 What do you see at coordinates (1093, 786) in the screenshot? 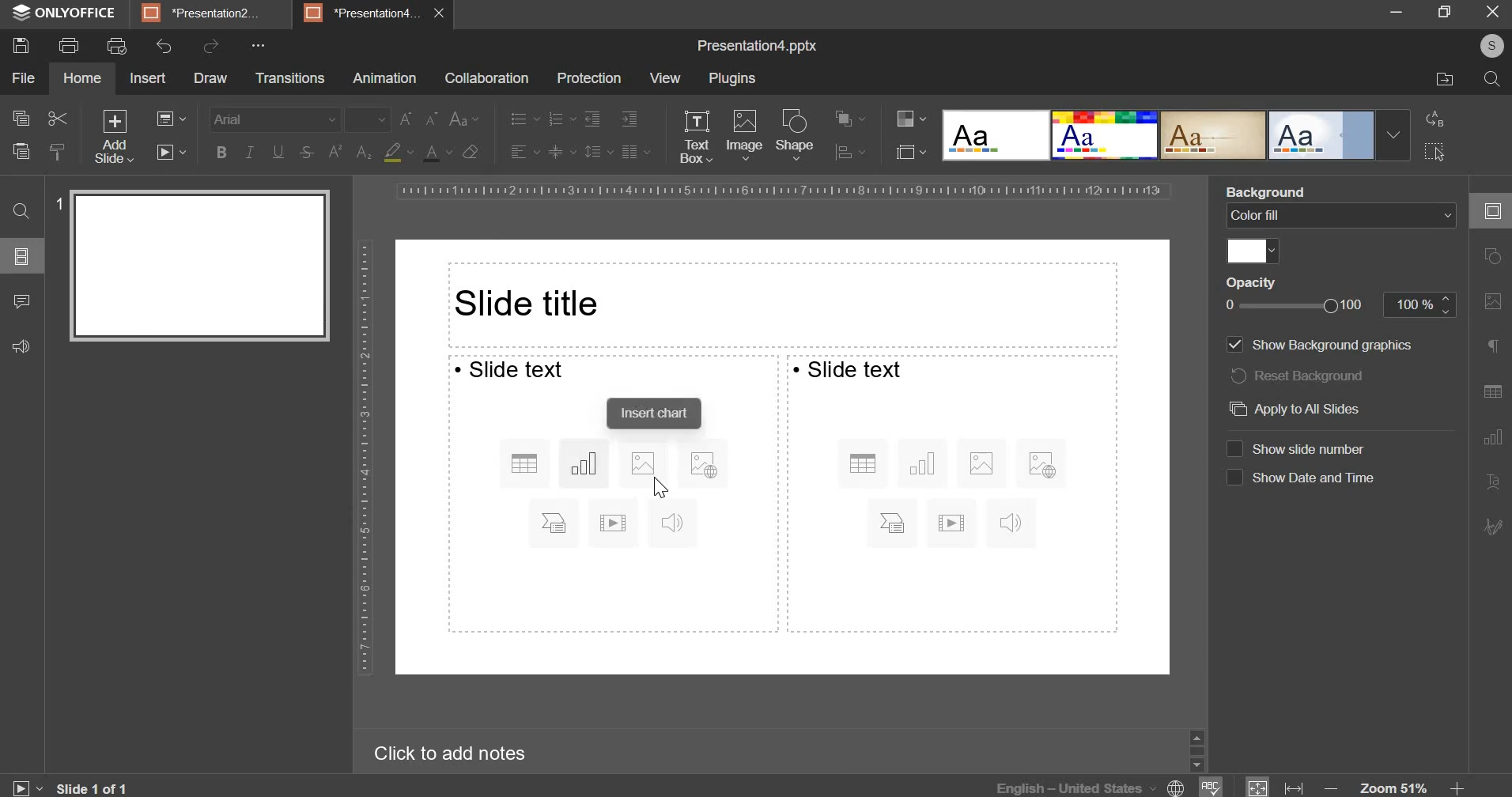
I see `language` at bounding box center [1093, 786].